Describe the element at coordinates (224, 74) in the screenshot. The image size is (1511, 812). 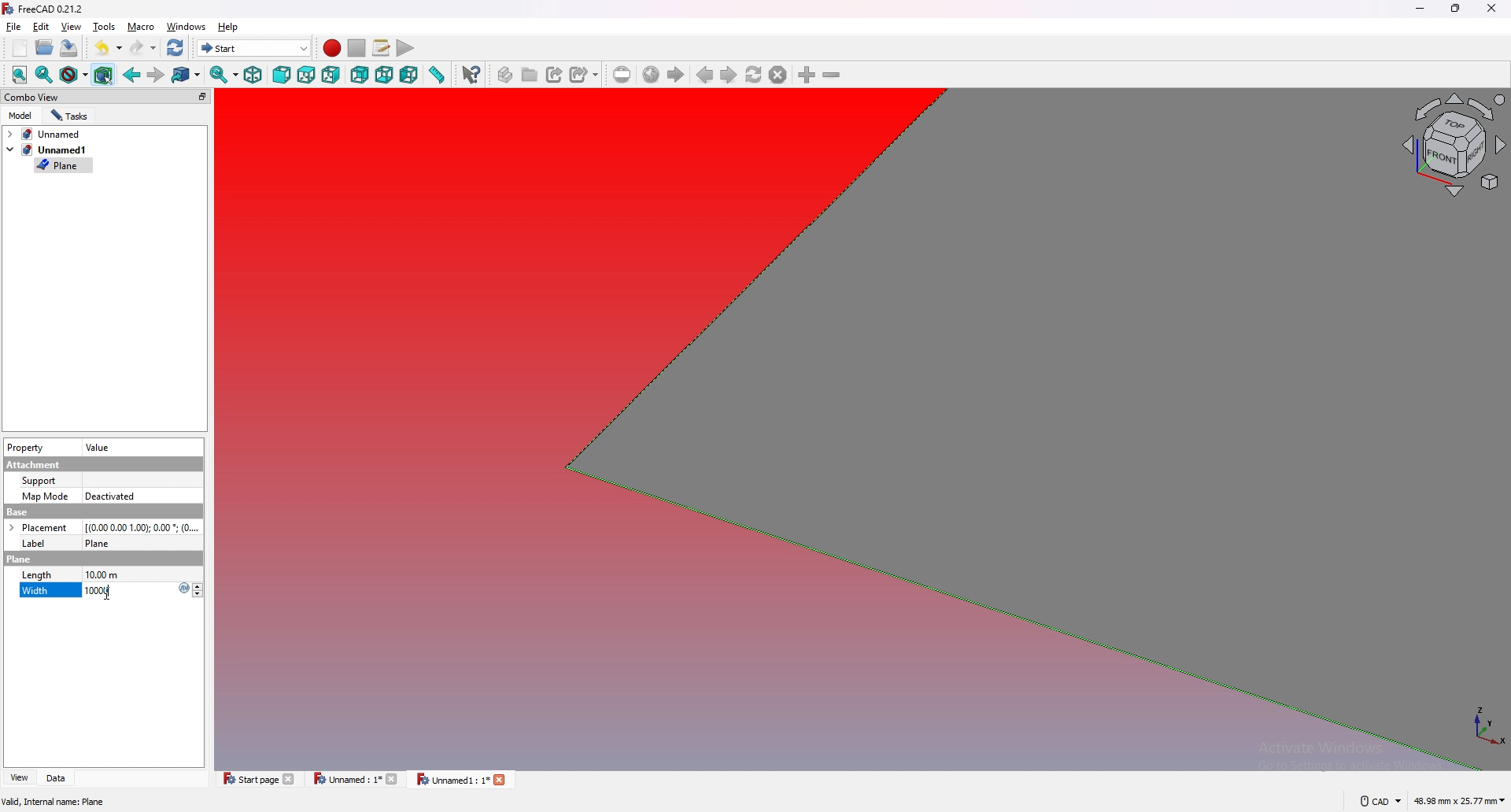
I see `sync view` at that location.